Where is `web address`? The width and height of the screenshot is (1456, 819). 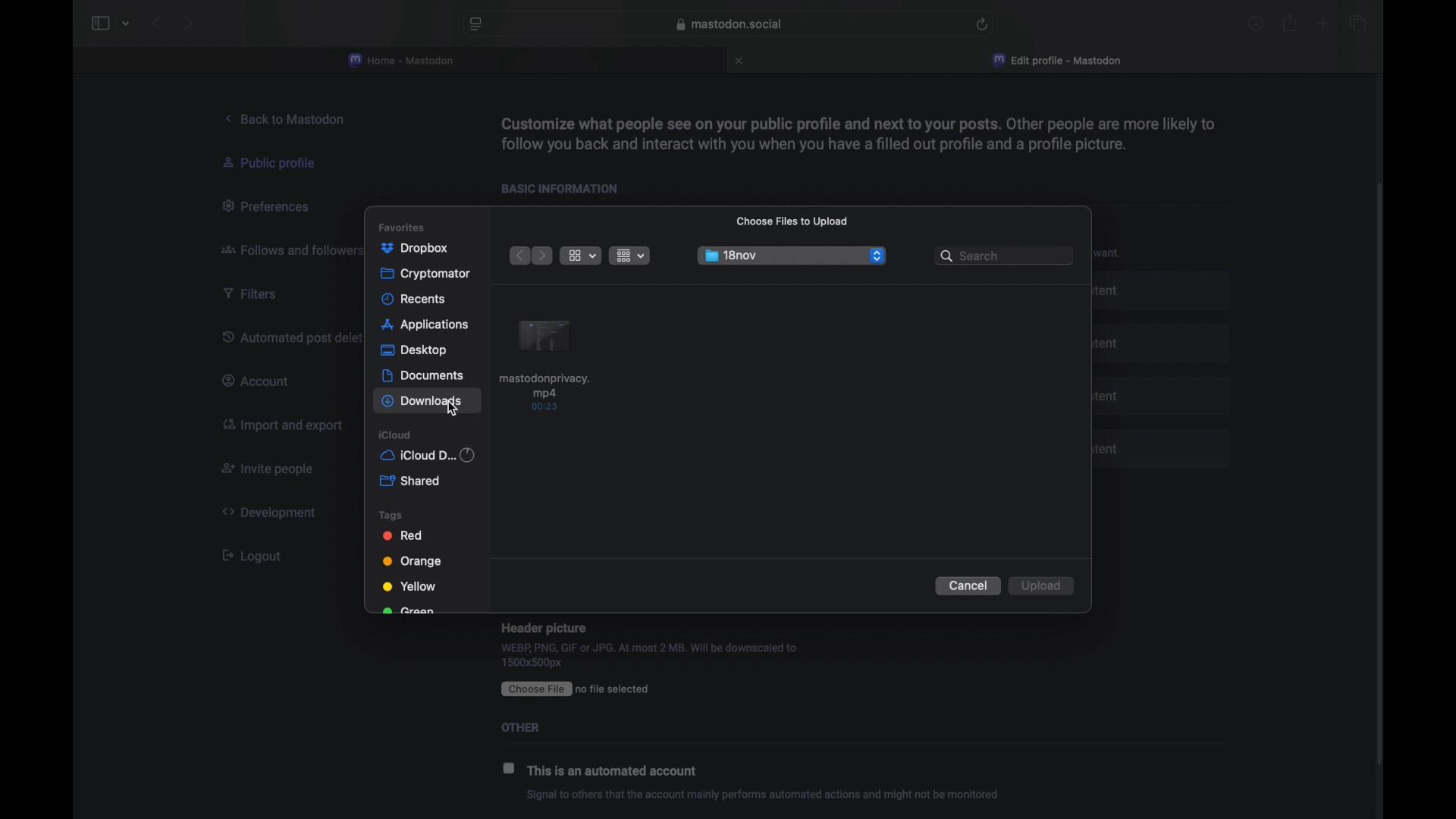
web address is located at coordinates (729, 24).